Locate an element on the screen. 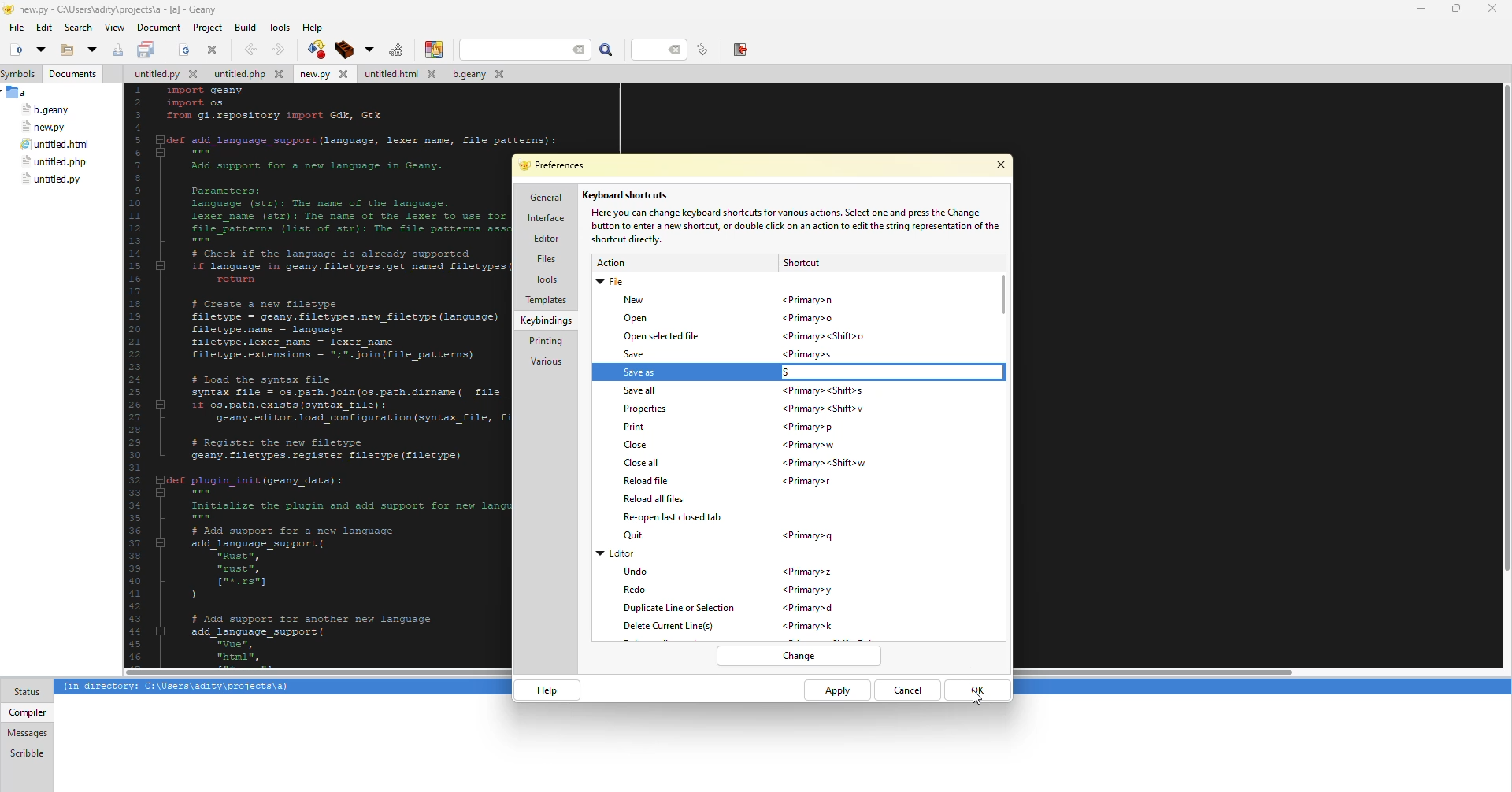  maximize is located at coordinates (1454, 9).